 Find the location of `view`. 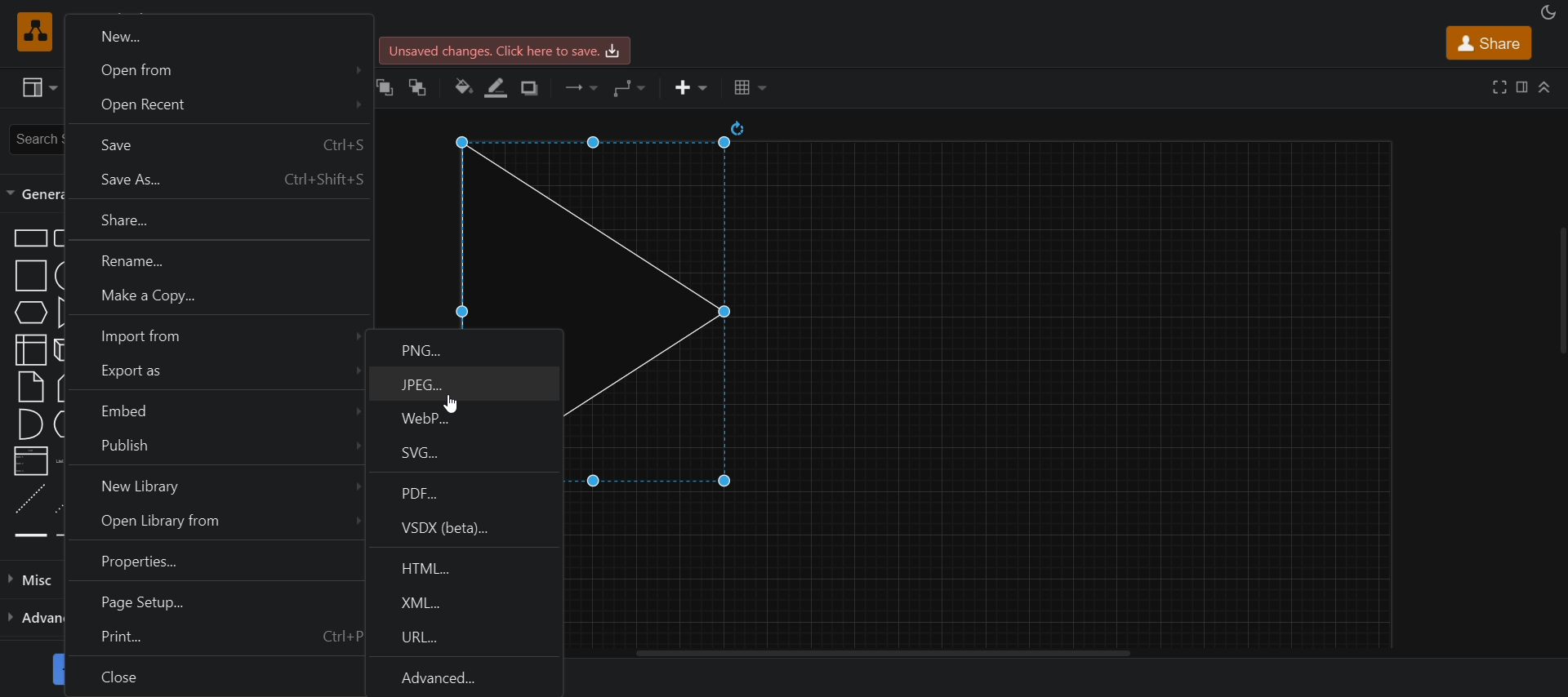

view is located at coordinates (38, 89).